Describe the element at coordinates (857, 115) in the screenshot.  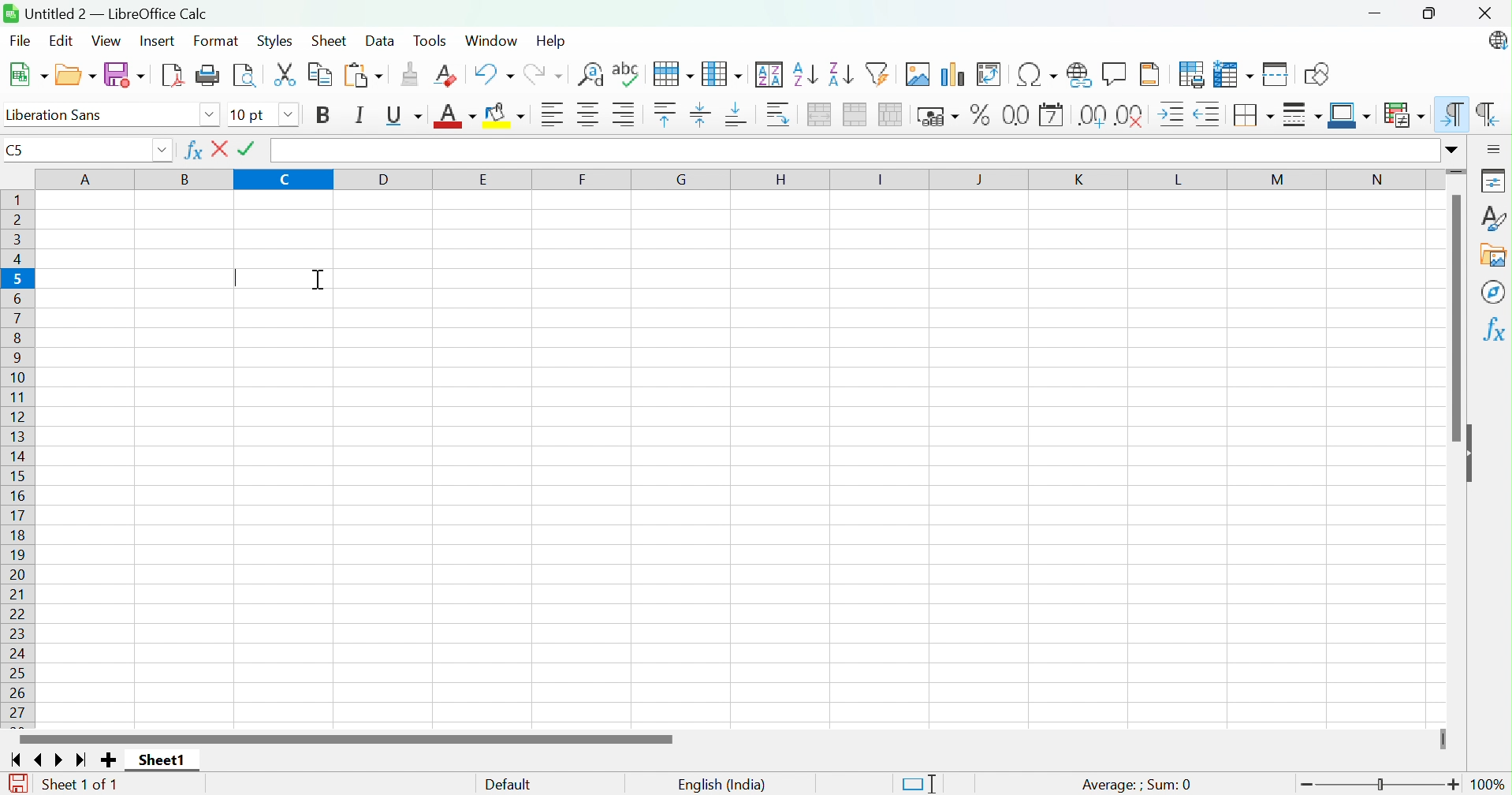
I see `Merge cells` at that location.